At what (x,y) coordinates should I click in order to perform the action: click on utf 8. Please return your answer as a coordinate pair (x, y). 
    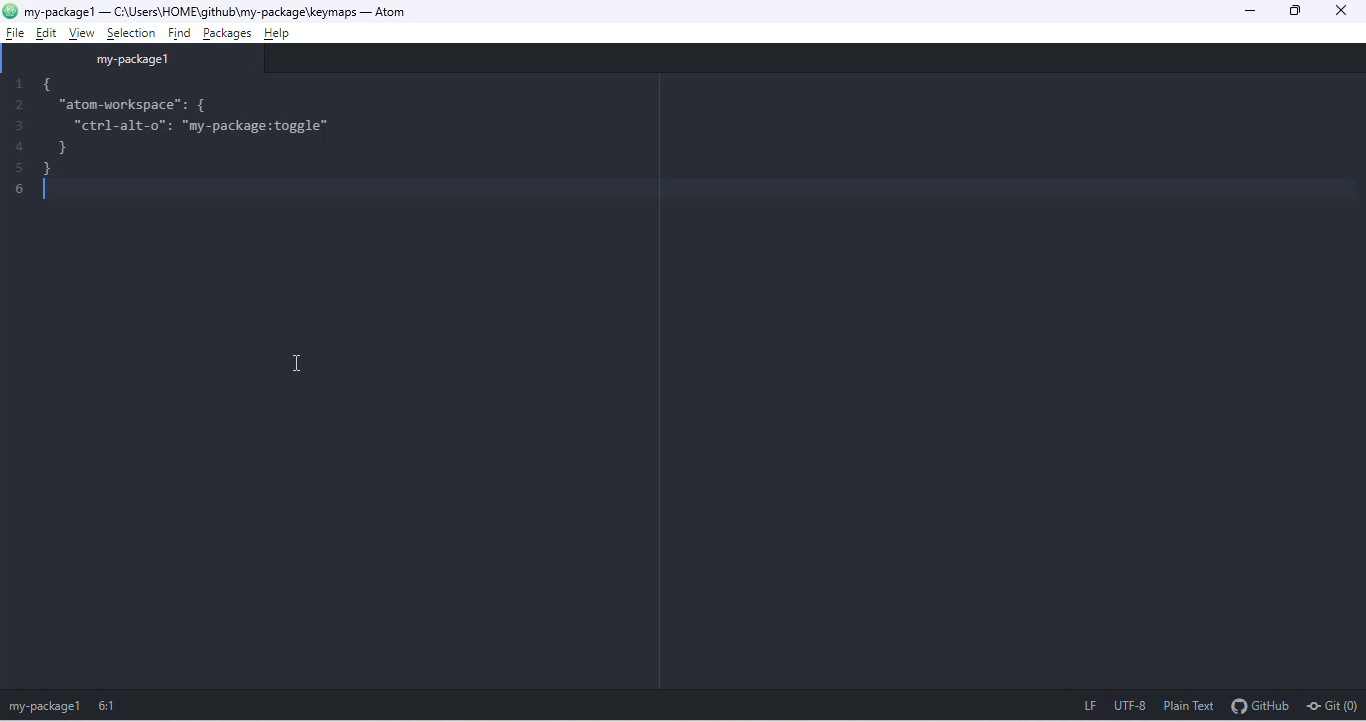
    Looking at the image, I should click on (1132, 708).